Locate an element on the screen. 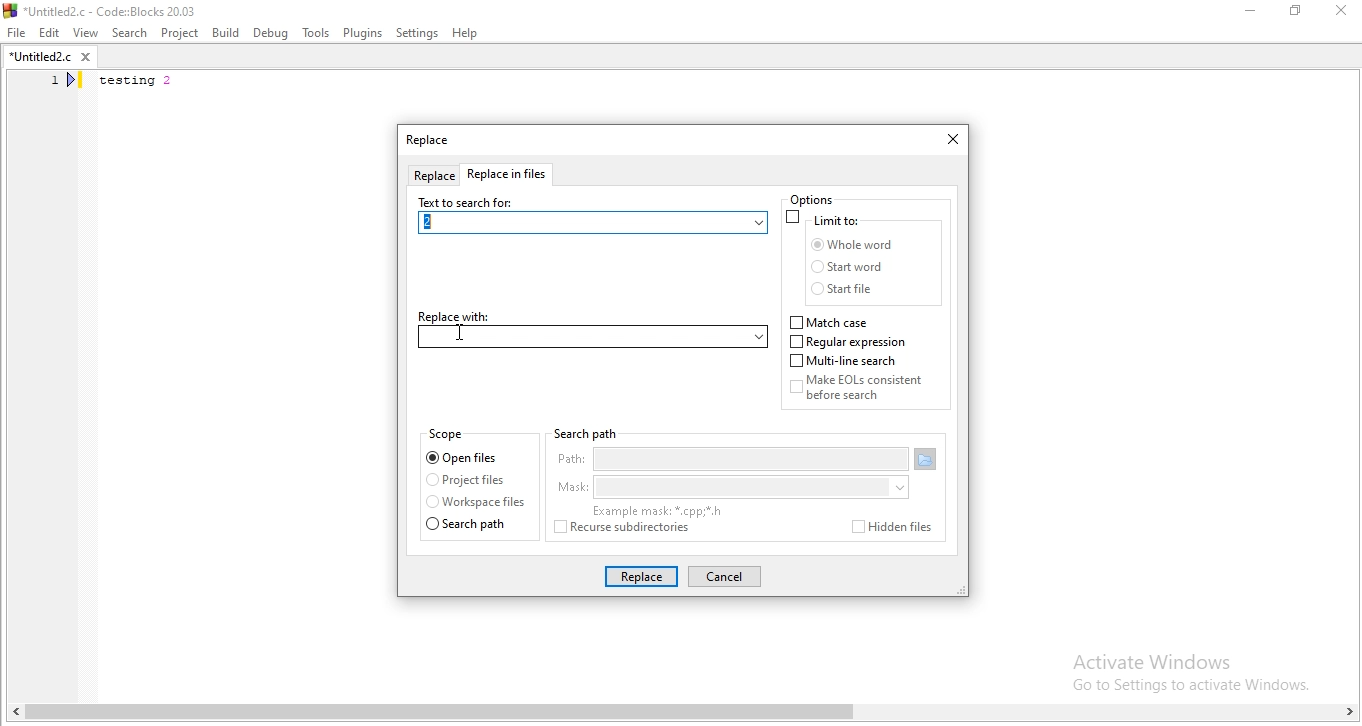 This screenshot has width=1362, height=726. replace with is located at coordinates (588, 330).